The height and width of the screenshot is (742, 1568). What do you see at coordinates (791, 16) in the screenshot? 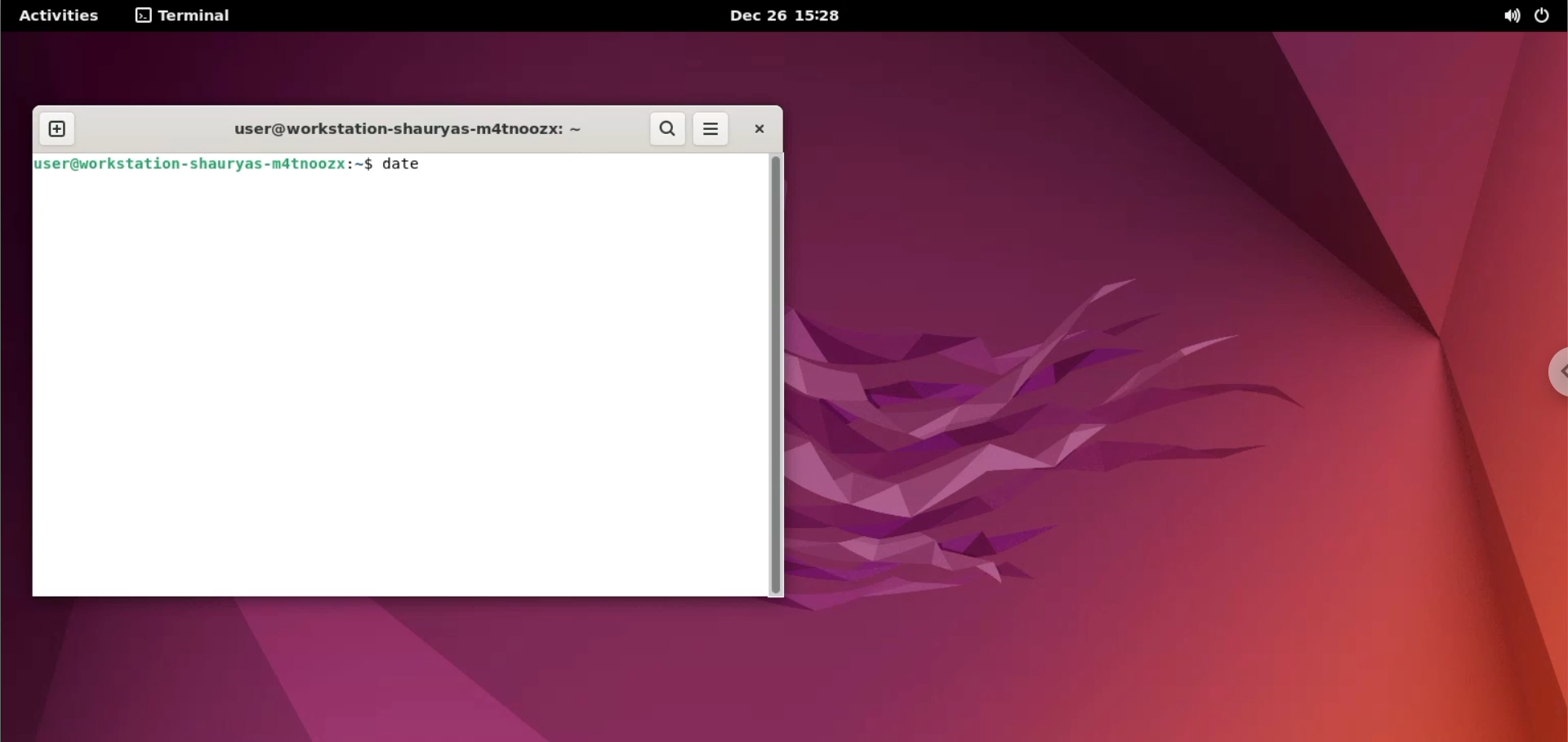
I see `Dec 26 15:28` at bounding box center [791, 16].